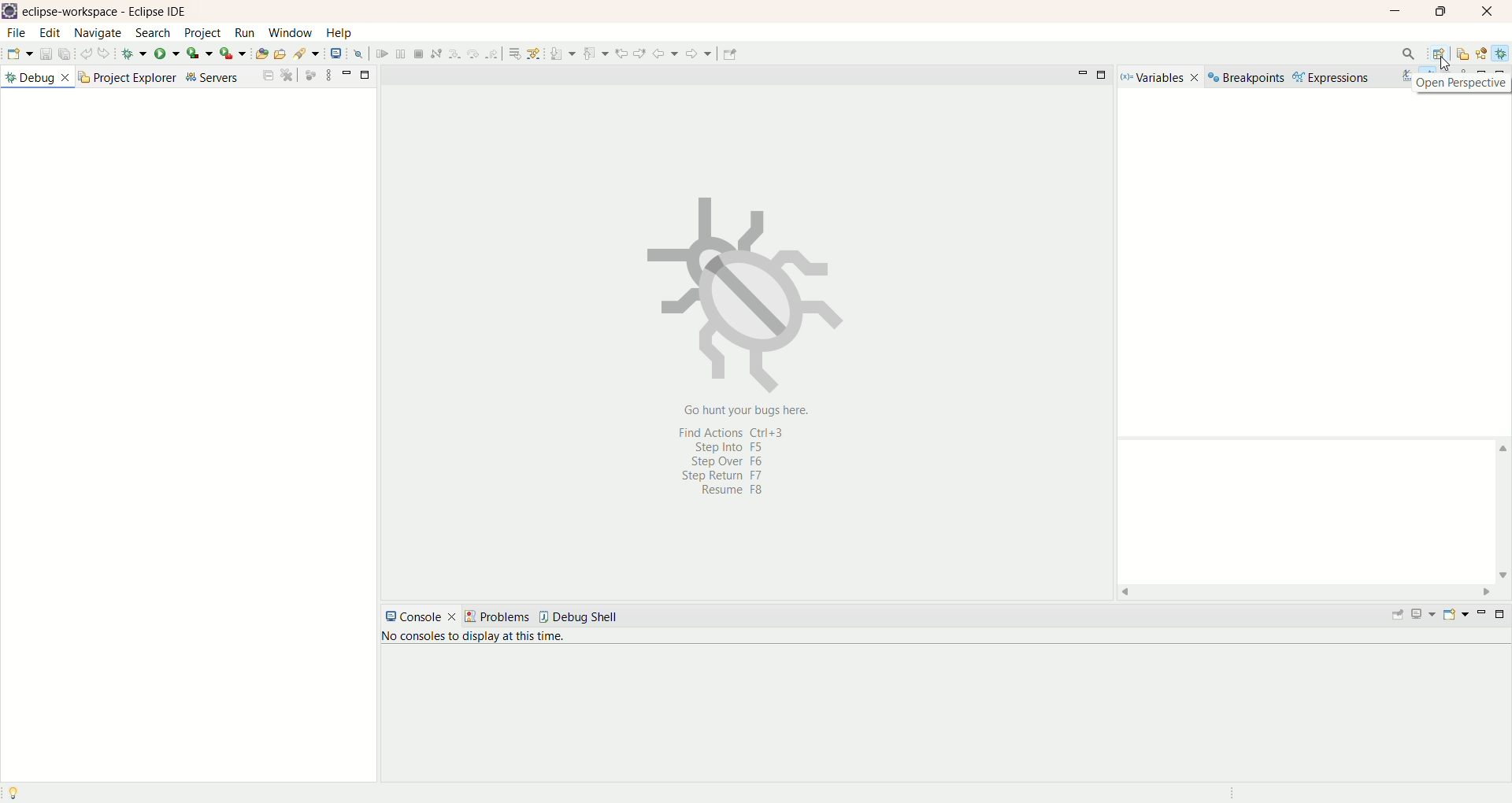  I want to click on run, so click(243, 35).